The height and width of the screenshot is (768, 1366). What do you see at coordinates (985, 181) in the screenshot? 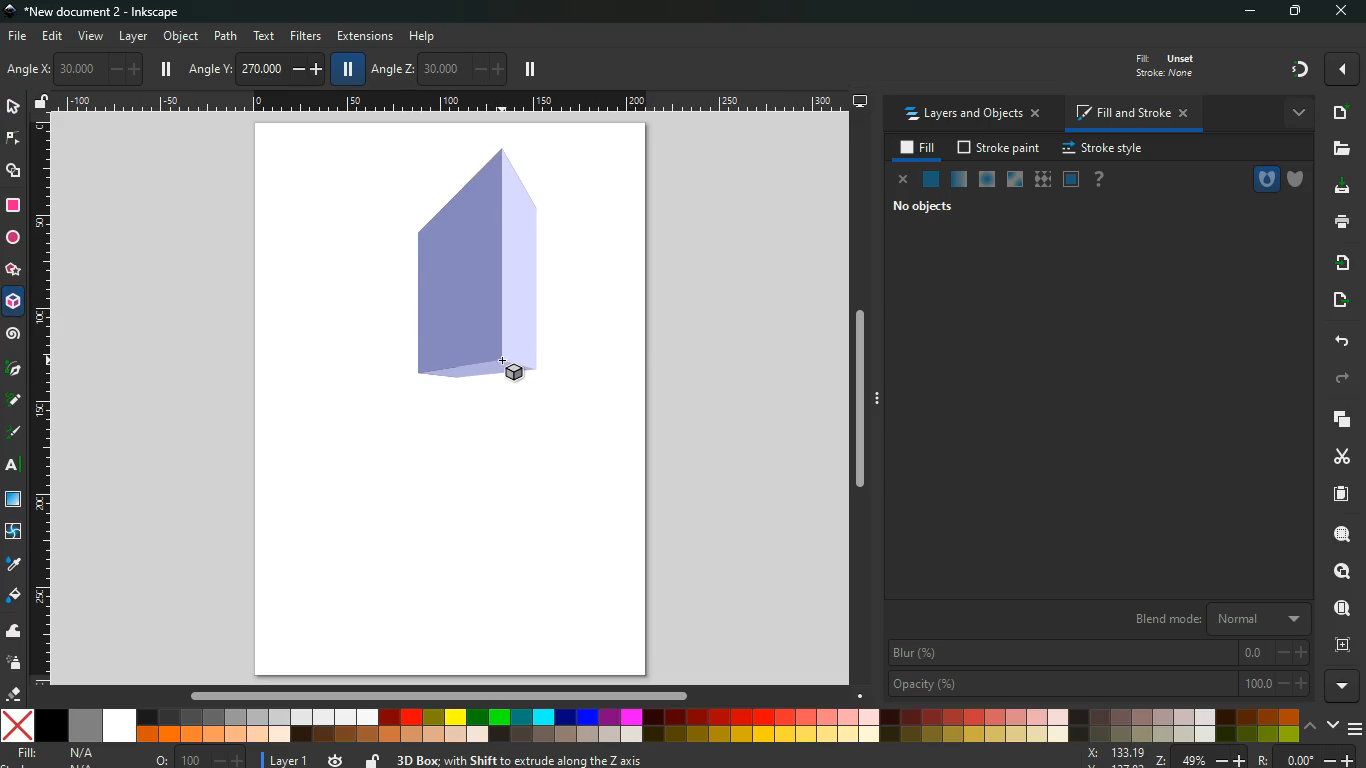
I see `ice` at bounding box center [985, 181].